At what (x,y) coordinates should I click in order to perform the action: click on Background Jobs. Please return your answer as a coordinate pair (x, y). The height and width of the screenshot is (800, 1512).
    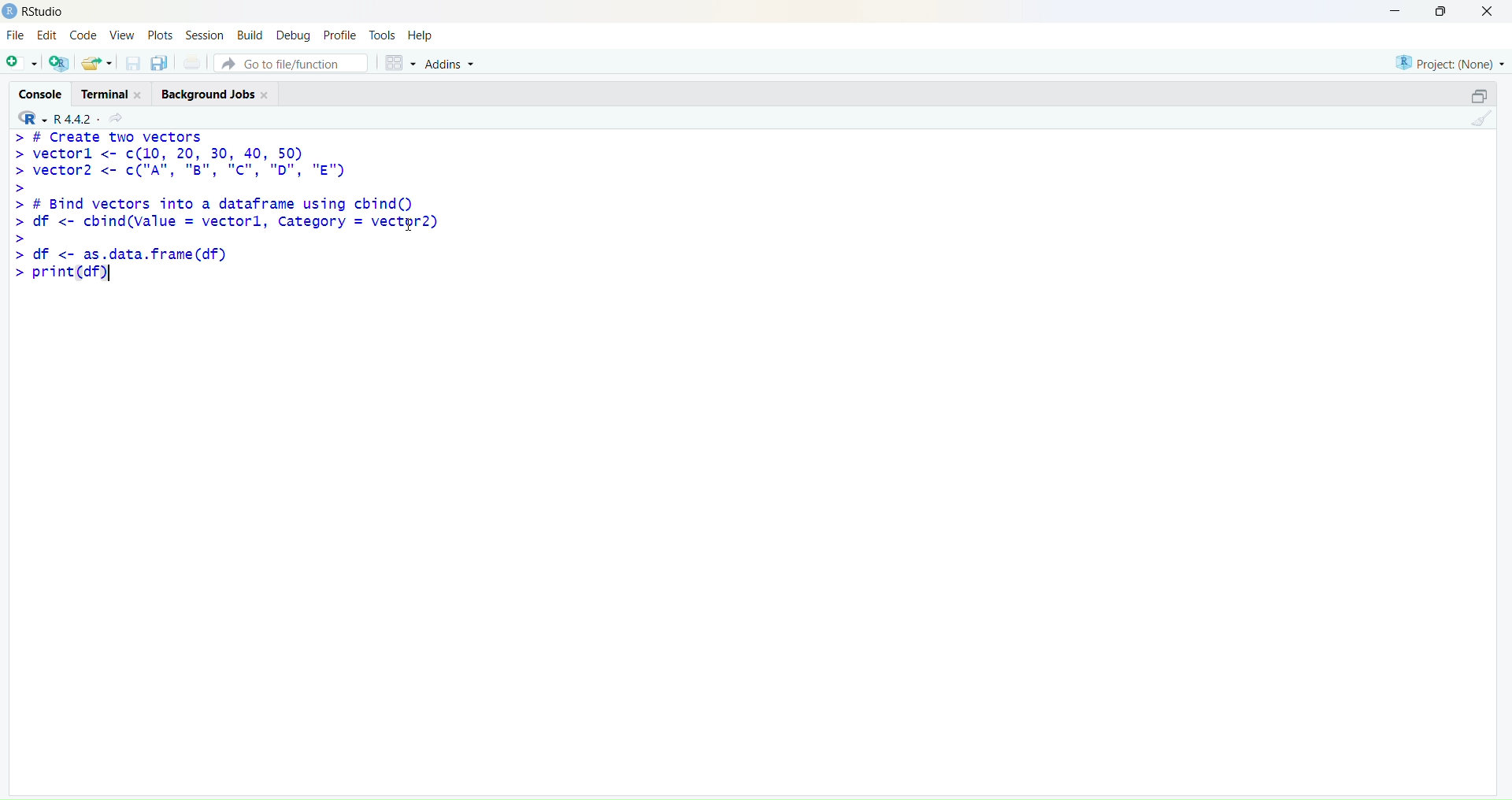
    Looking at the image, I should click on (214, 94).